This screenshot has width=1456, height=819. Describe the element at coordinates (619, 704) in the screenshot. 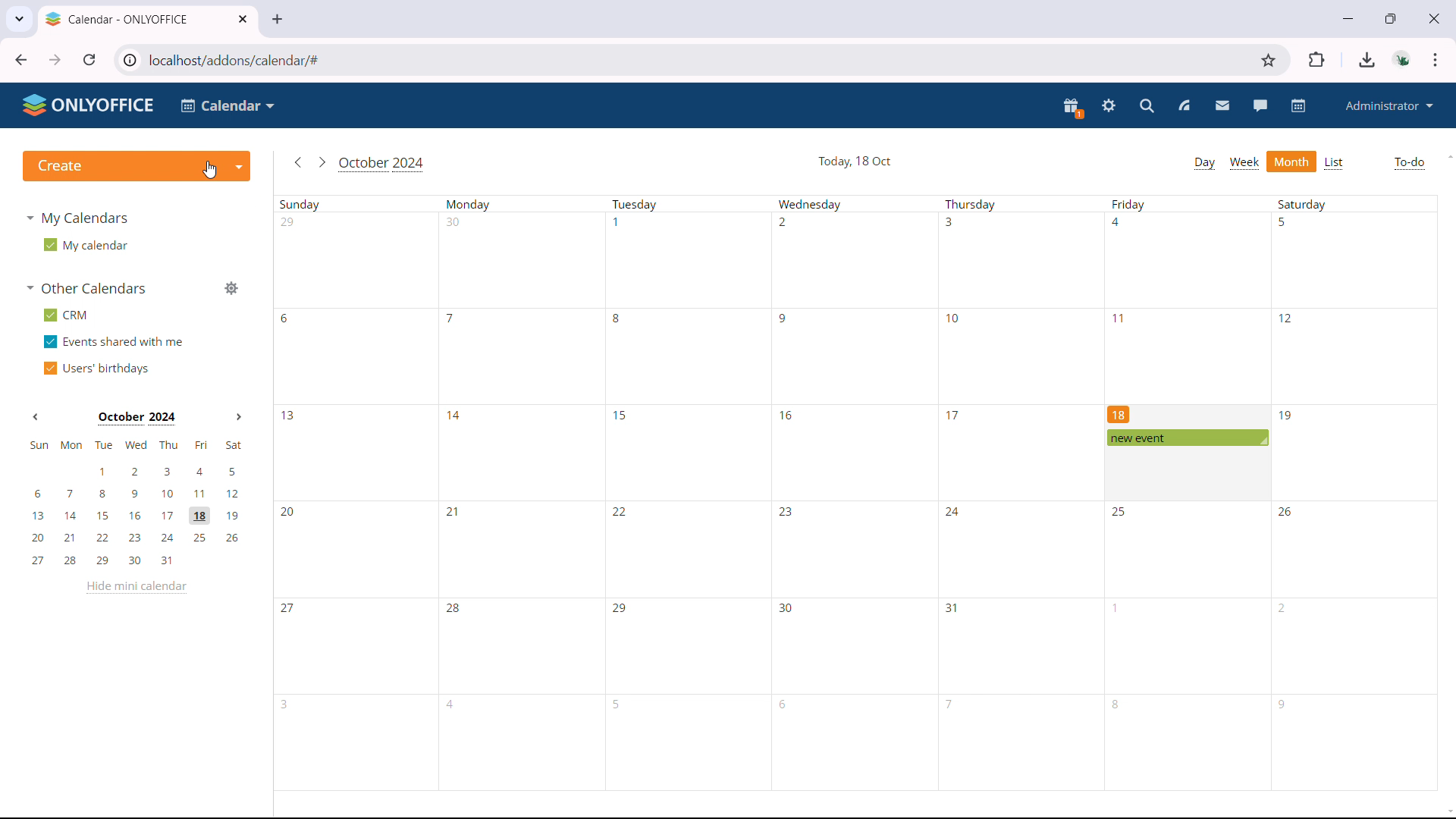

I see `5` at that location.